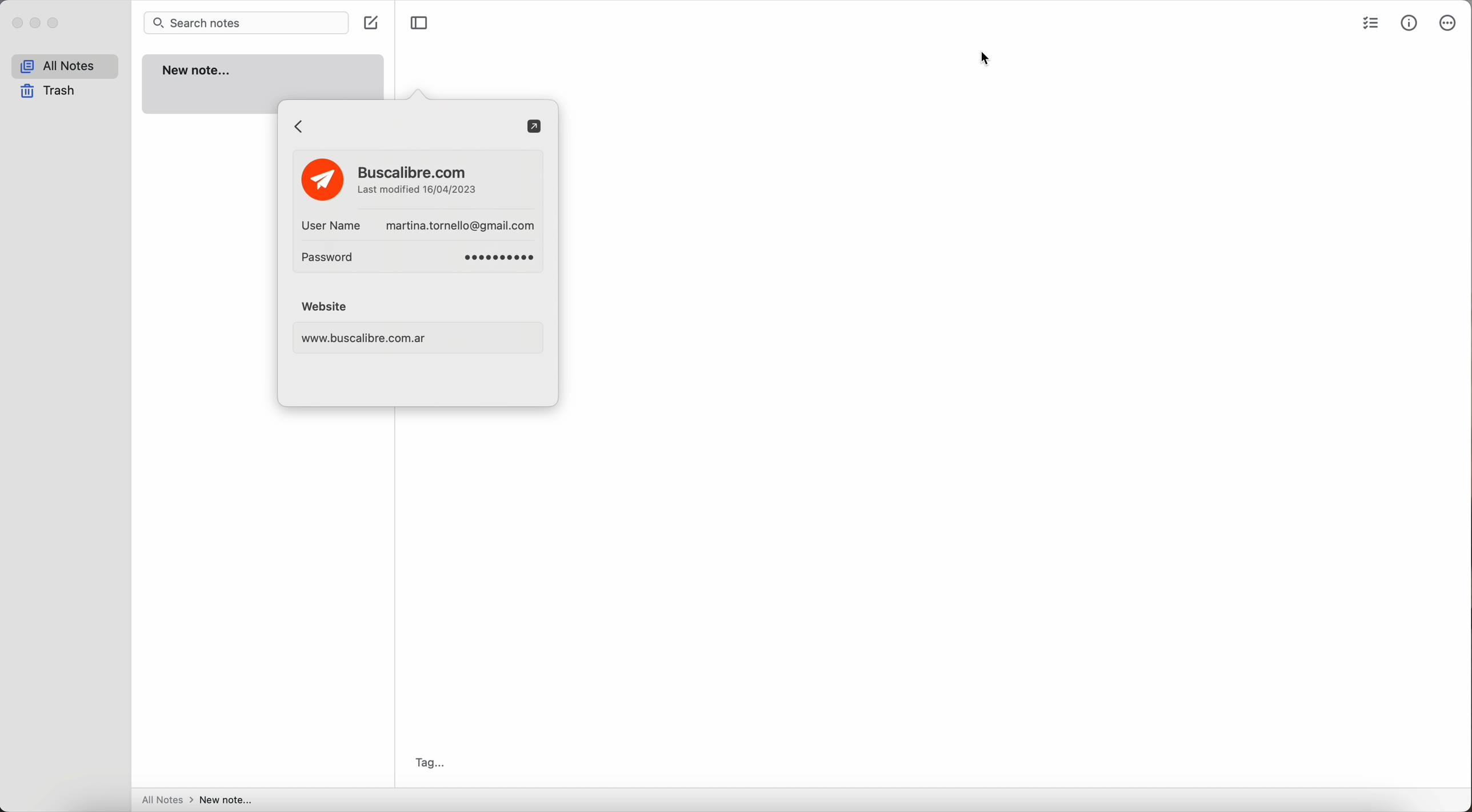 The image size is (1472, 812). I want to click on tag, so click(434, 761).